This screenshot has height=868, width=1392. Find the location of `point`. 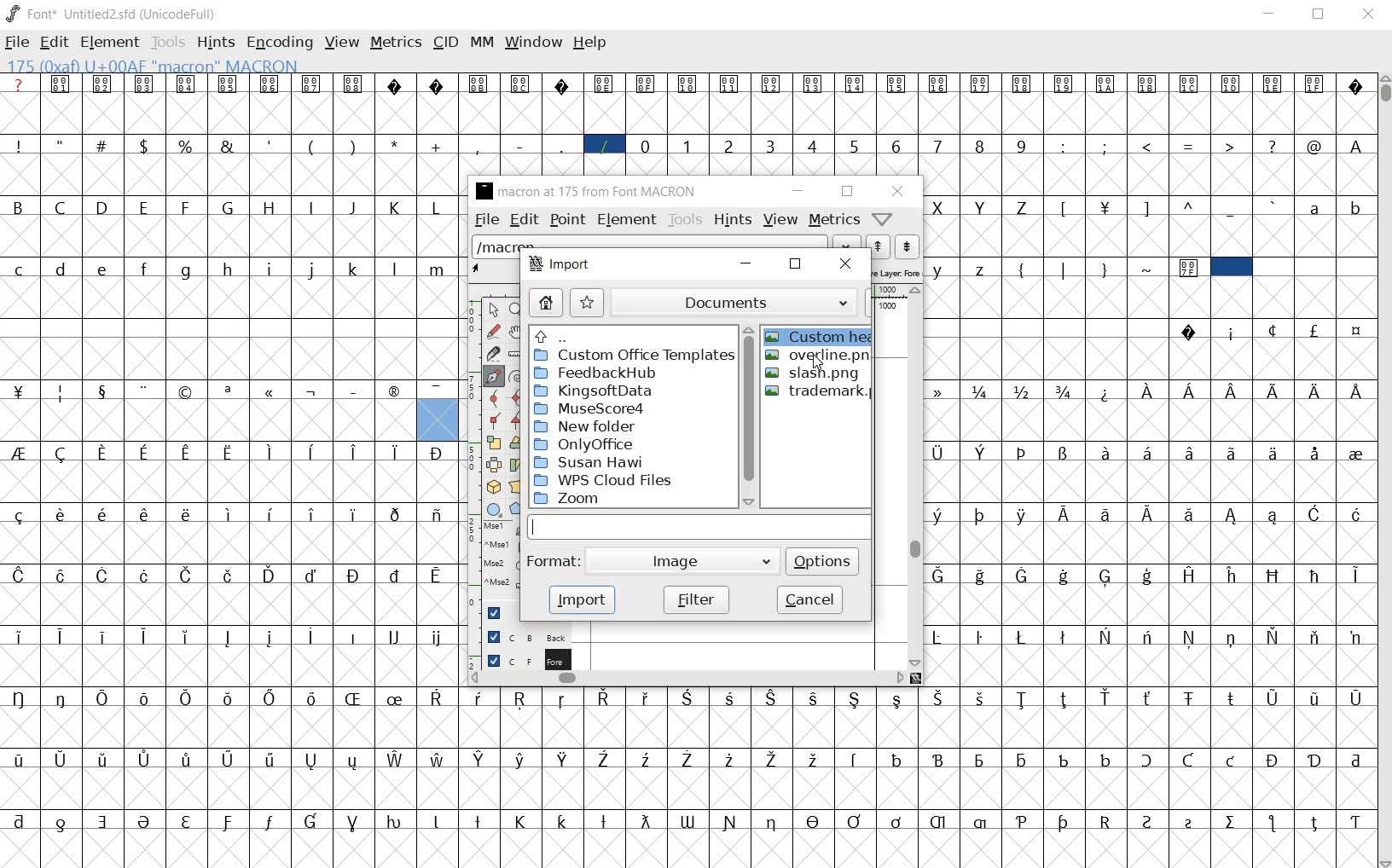

point is located at coordinates (565, 221).